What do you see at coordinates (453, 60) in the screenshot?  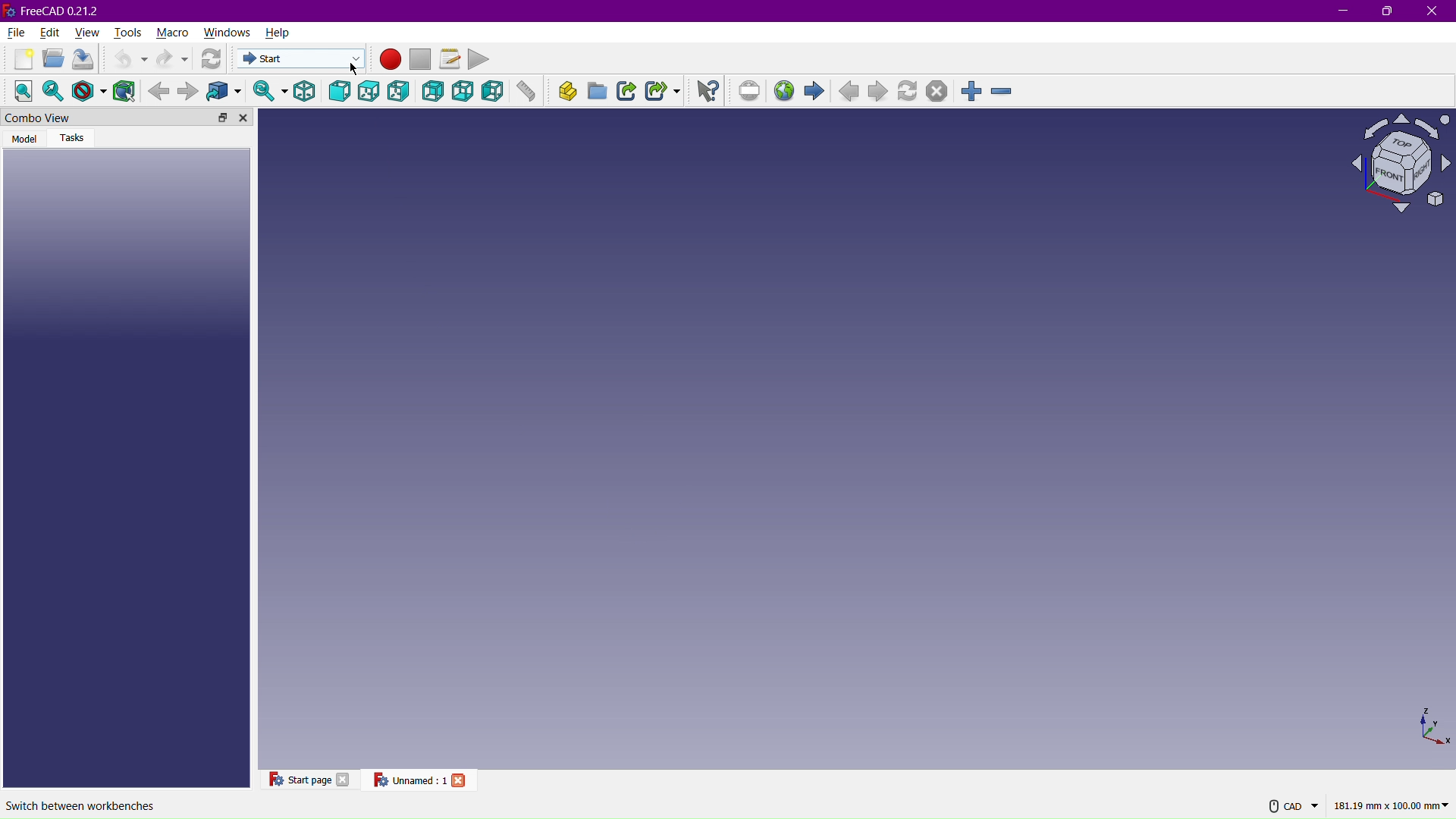 I see `Macros` at bounding box center [453, 60].